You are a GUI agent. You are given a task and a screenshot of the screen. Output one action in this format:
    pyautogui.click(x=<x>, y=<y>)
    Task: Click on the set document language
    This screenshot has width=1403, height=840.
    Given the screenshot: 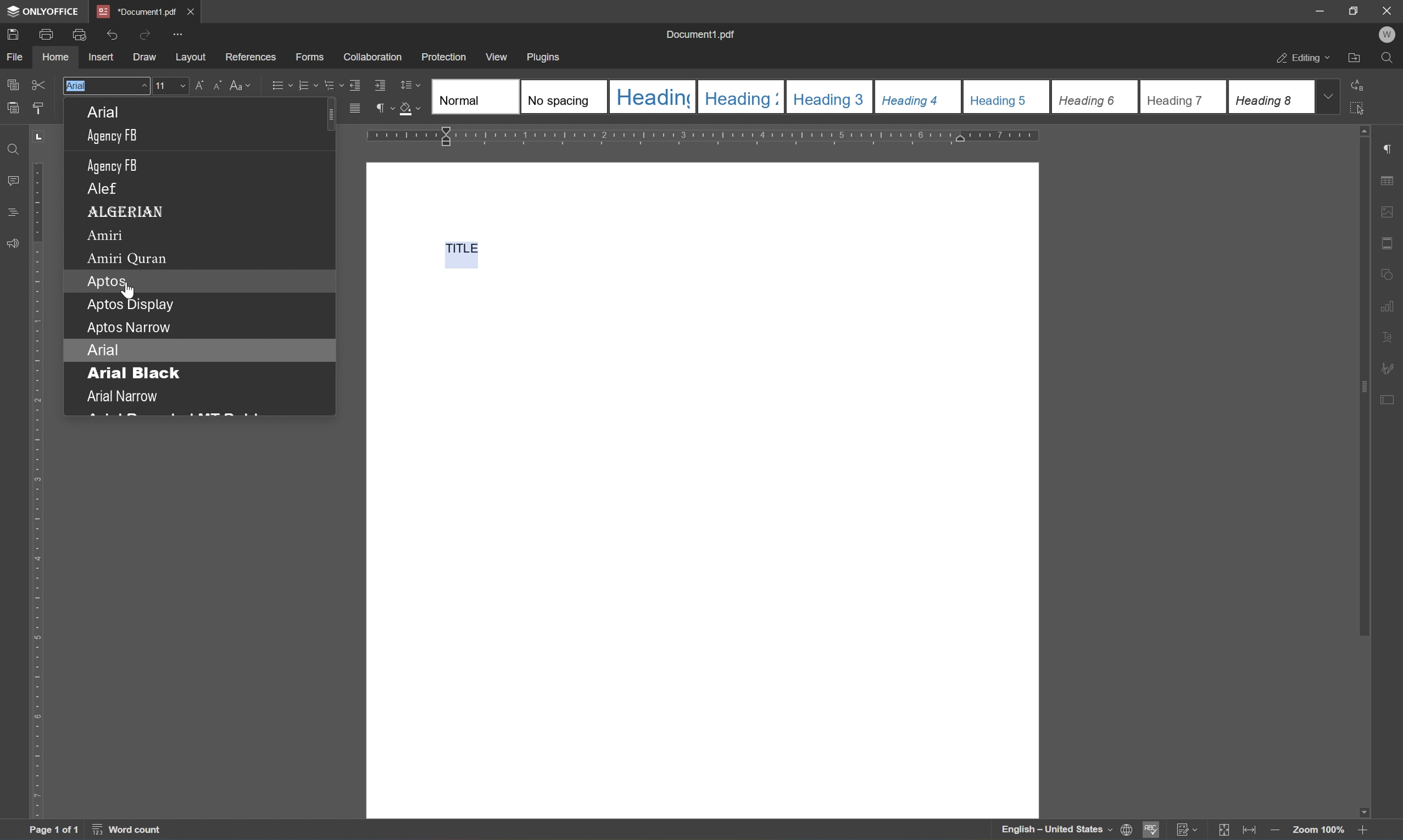 What is the action you would take?
    pyautogui.click(x=1066, y=831)
    